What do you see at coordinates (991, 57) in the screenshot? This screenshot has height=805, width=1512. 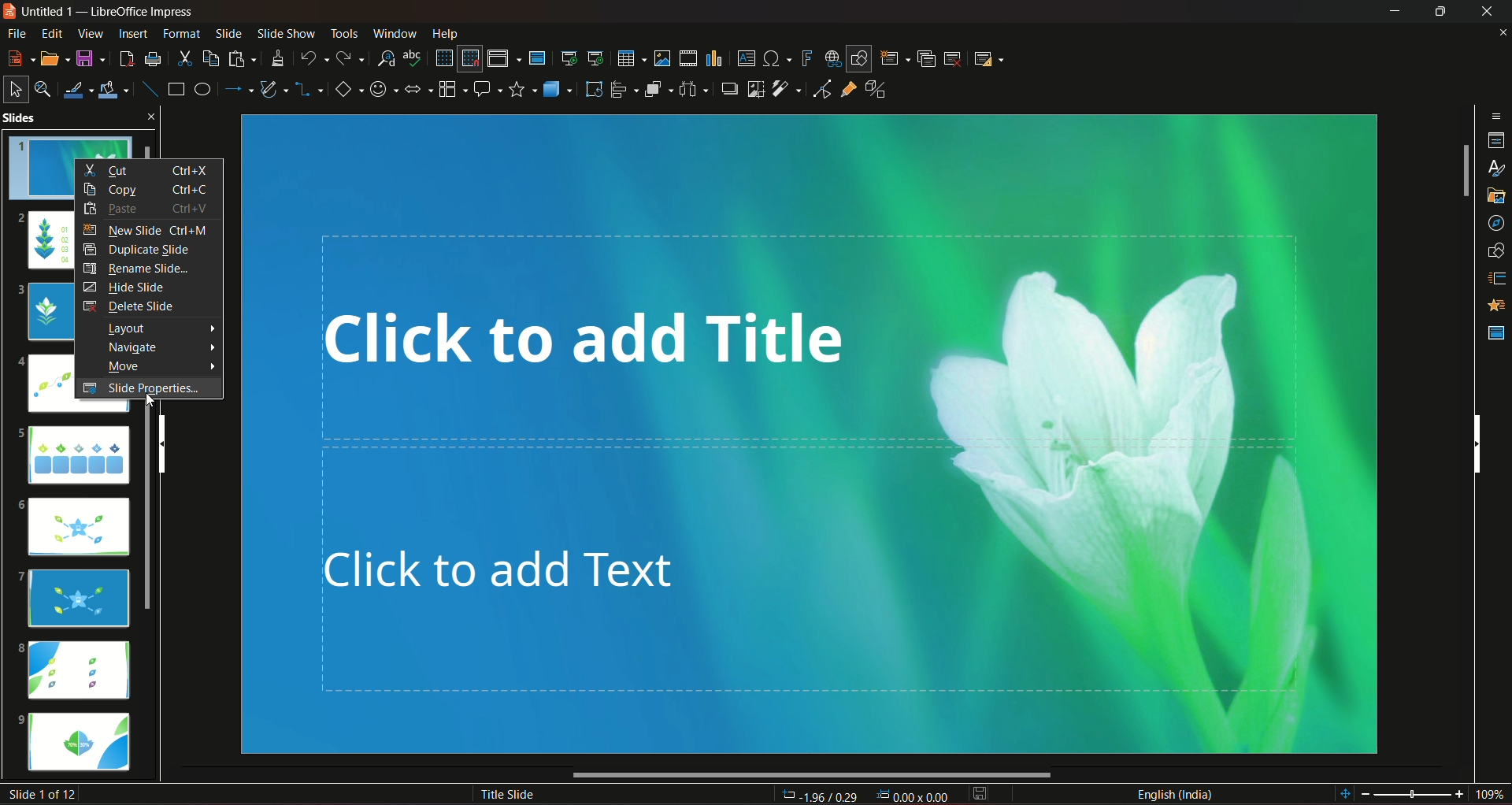 I see `slide layout` at bounding box center [991, 57].